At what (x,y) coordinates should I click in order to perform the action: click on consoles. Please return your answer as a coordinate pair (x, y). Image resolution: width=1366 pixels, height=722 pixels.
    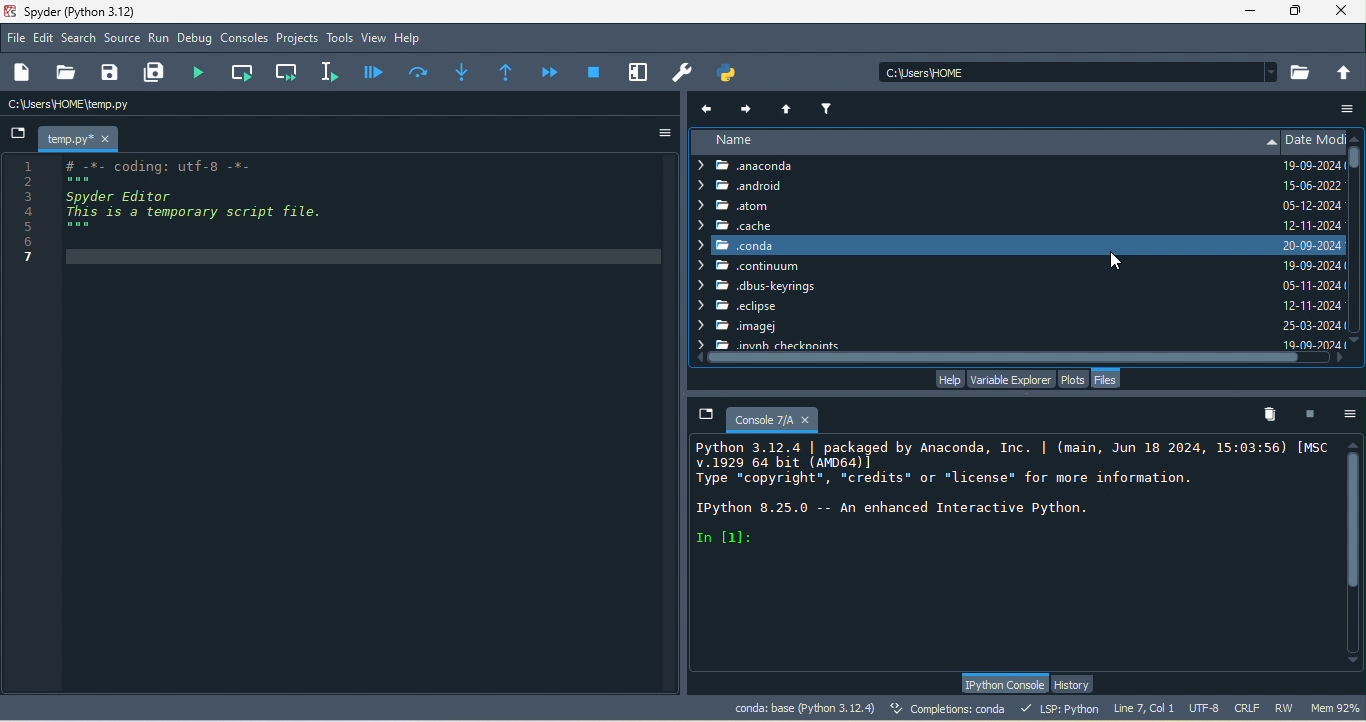
    Looking at the image, I should click on (245, 39).